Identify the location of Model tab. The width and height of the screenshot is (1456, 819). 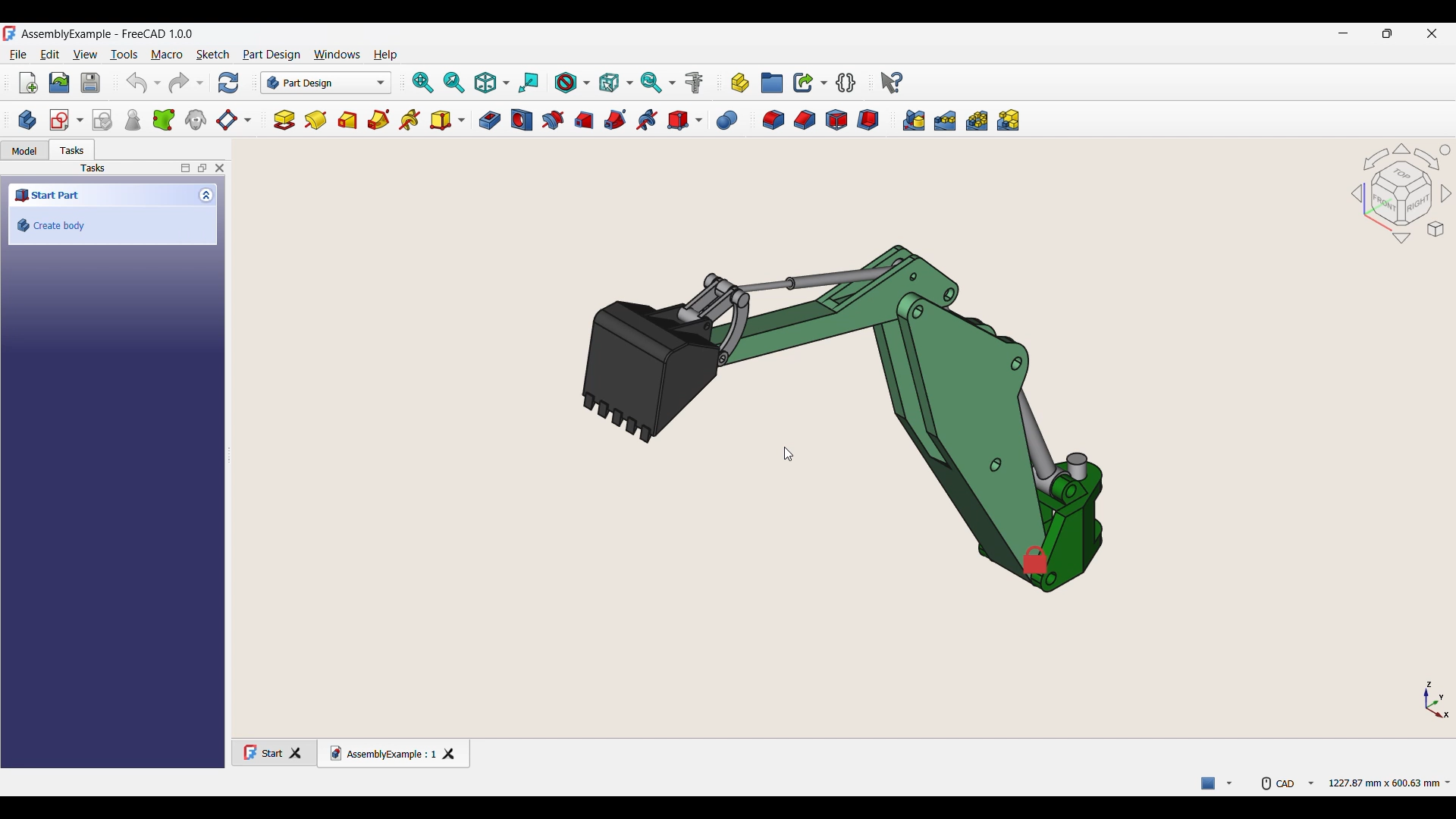
(24, 151).